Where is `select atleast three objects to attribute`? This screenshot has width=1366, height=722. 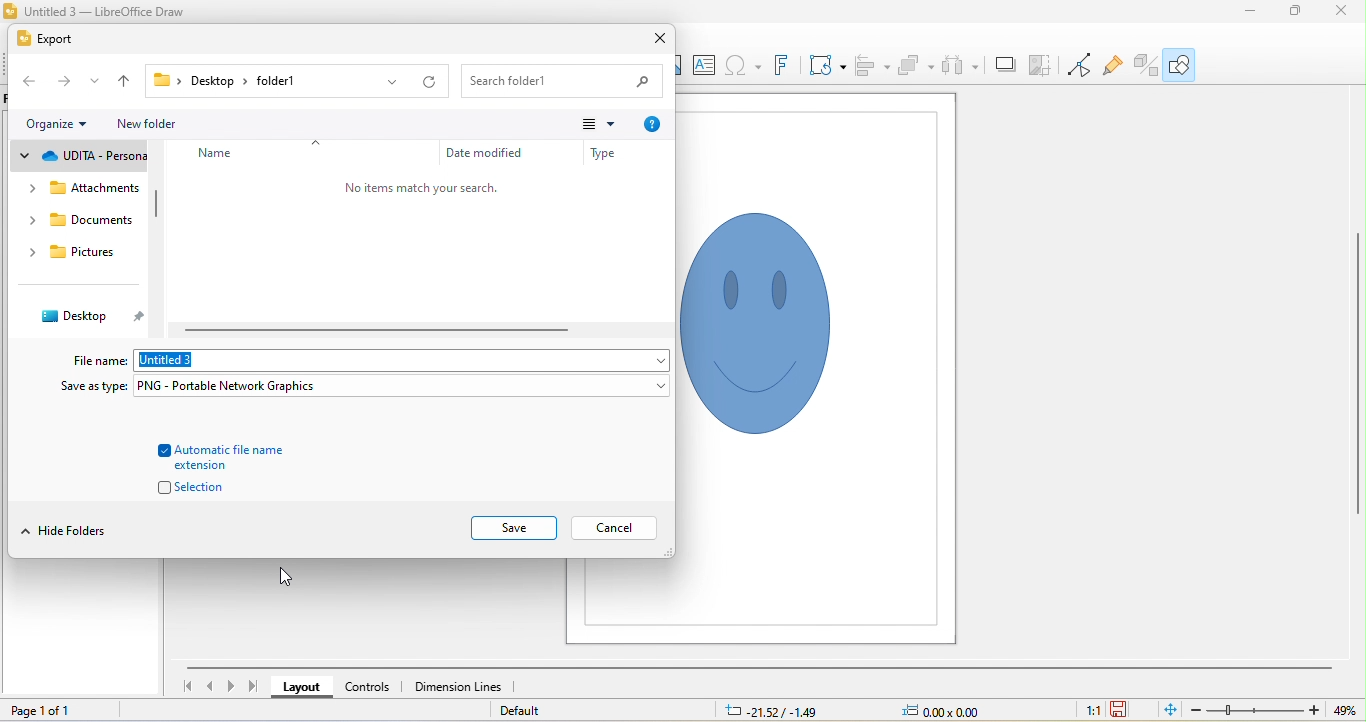
select atleast three objects to attribute is located at coordinates (960, 66).